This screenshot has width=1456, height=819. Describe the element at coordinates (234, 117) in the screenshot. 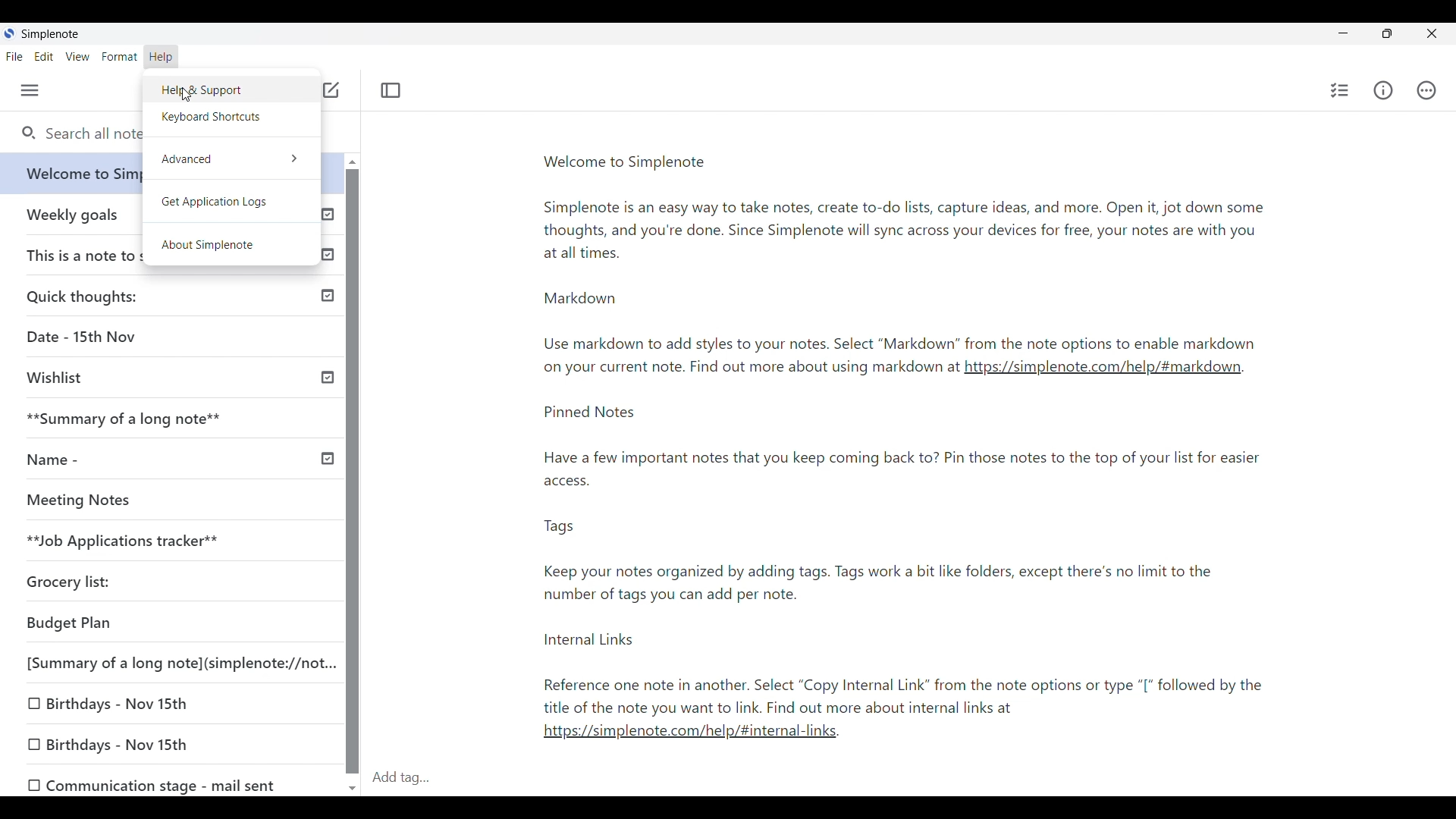

I see `Keyboard shortcuts` at that location.